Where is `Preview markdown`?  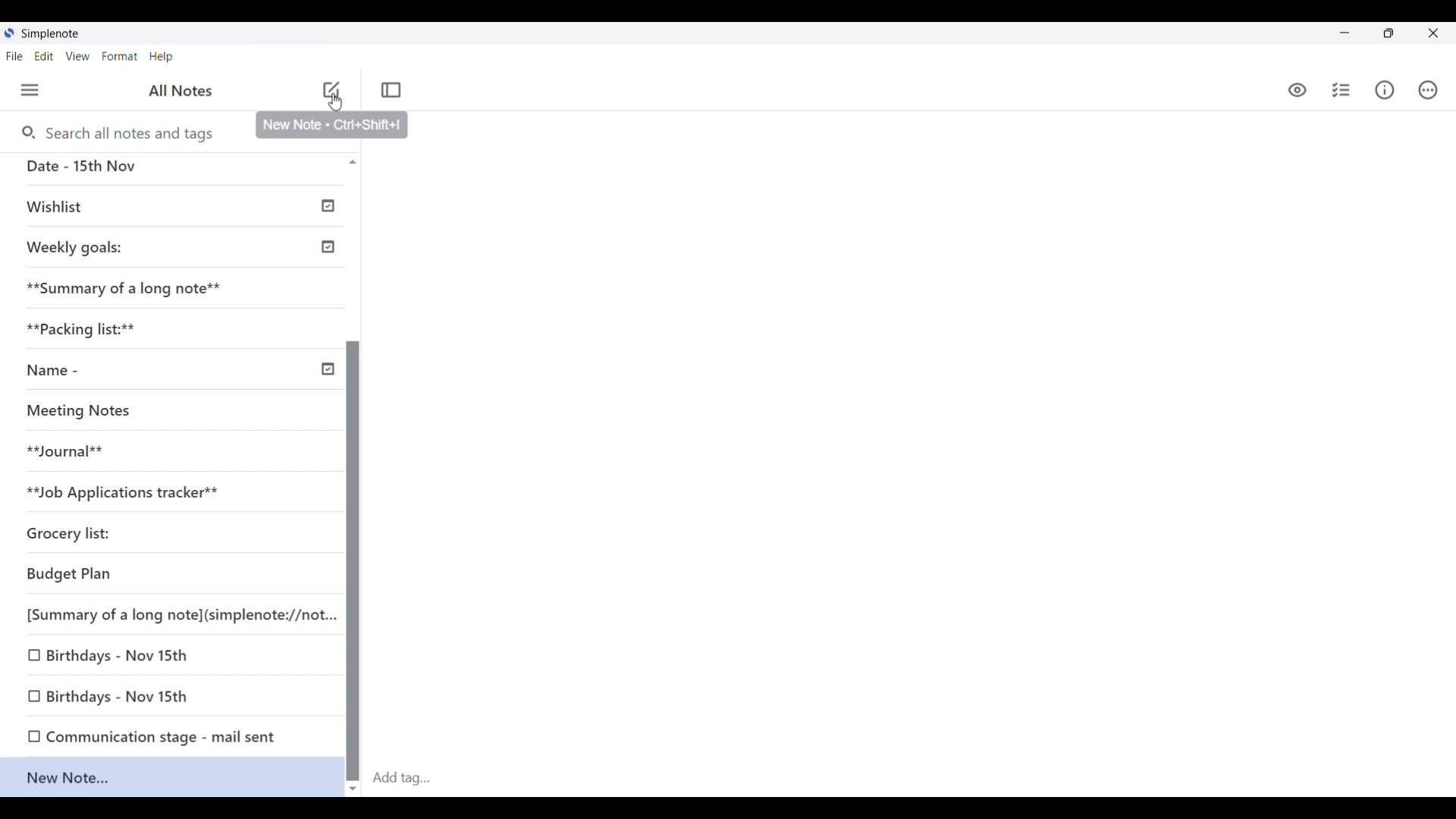 Preview markdown is located at coordinates (1298, 90).